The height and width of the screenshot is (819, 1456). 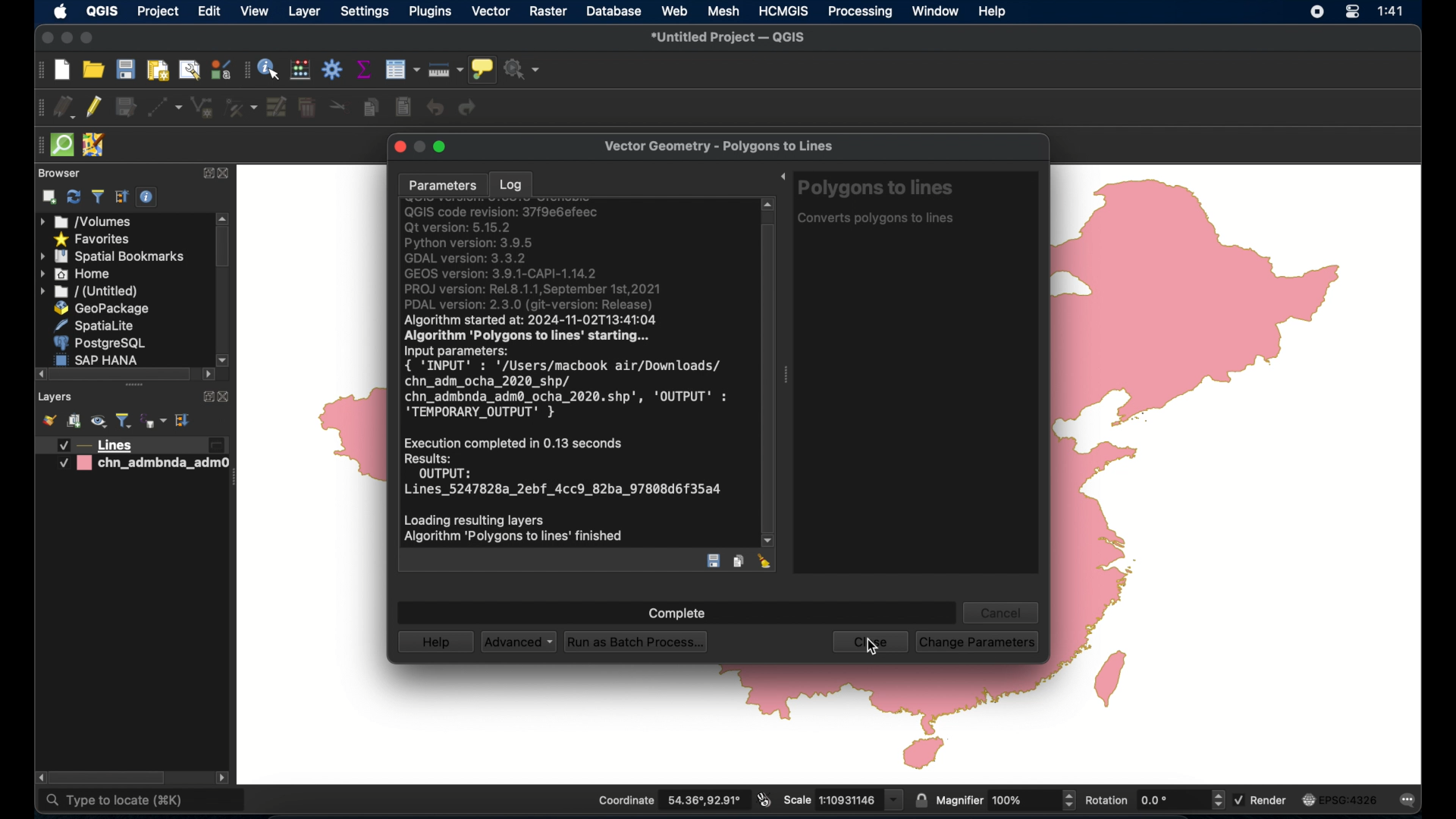 I want to click on complete, so click(x=679, y=614).